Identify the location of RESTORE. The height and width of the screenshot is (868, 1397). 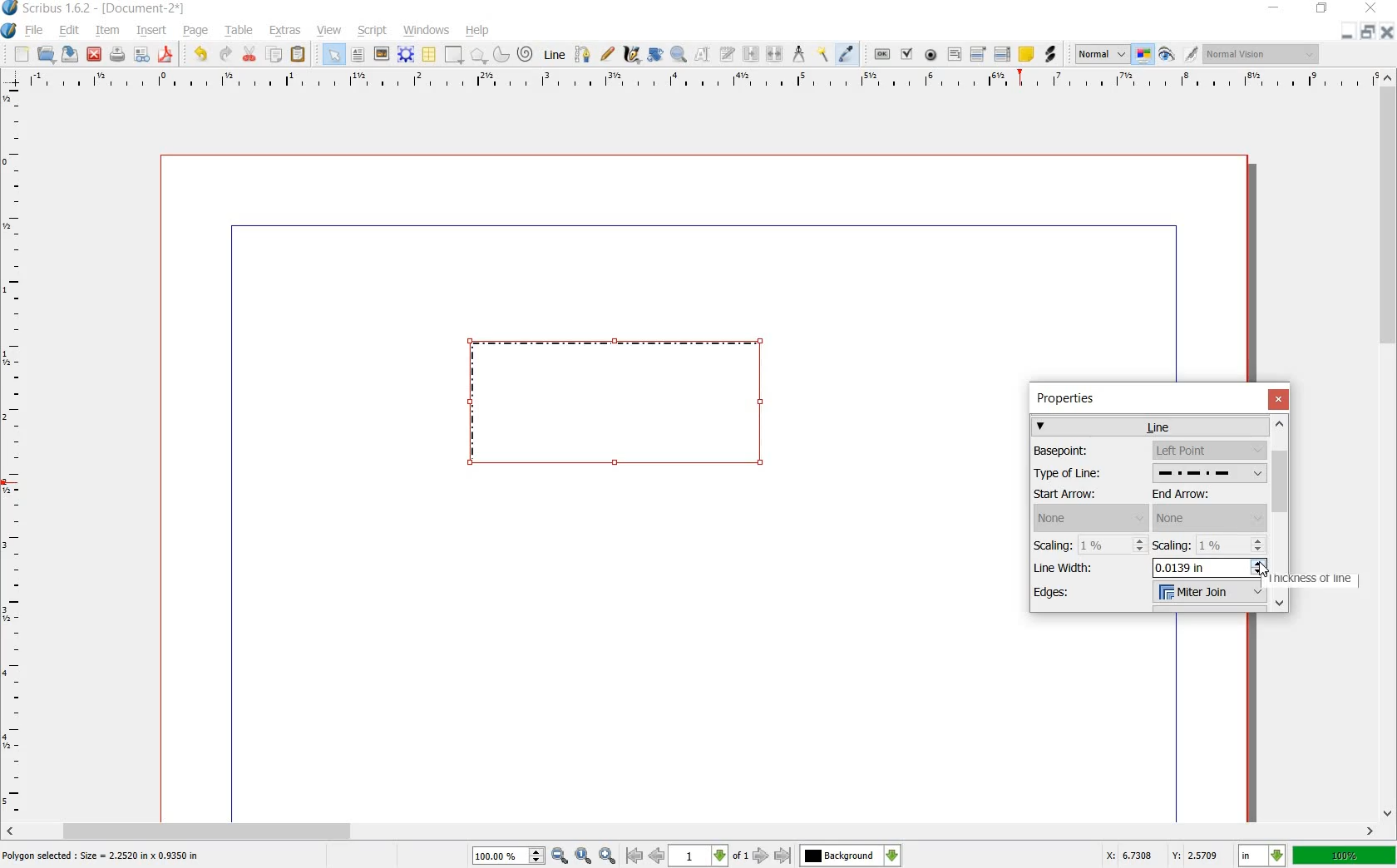
(1320, 11).